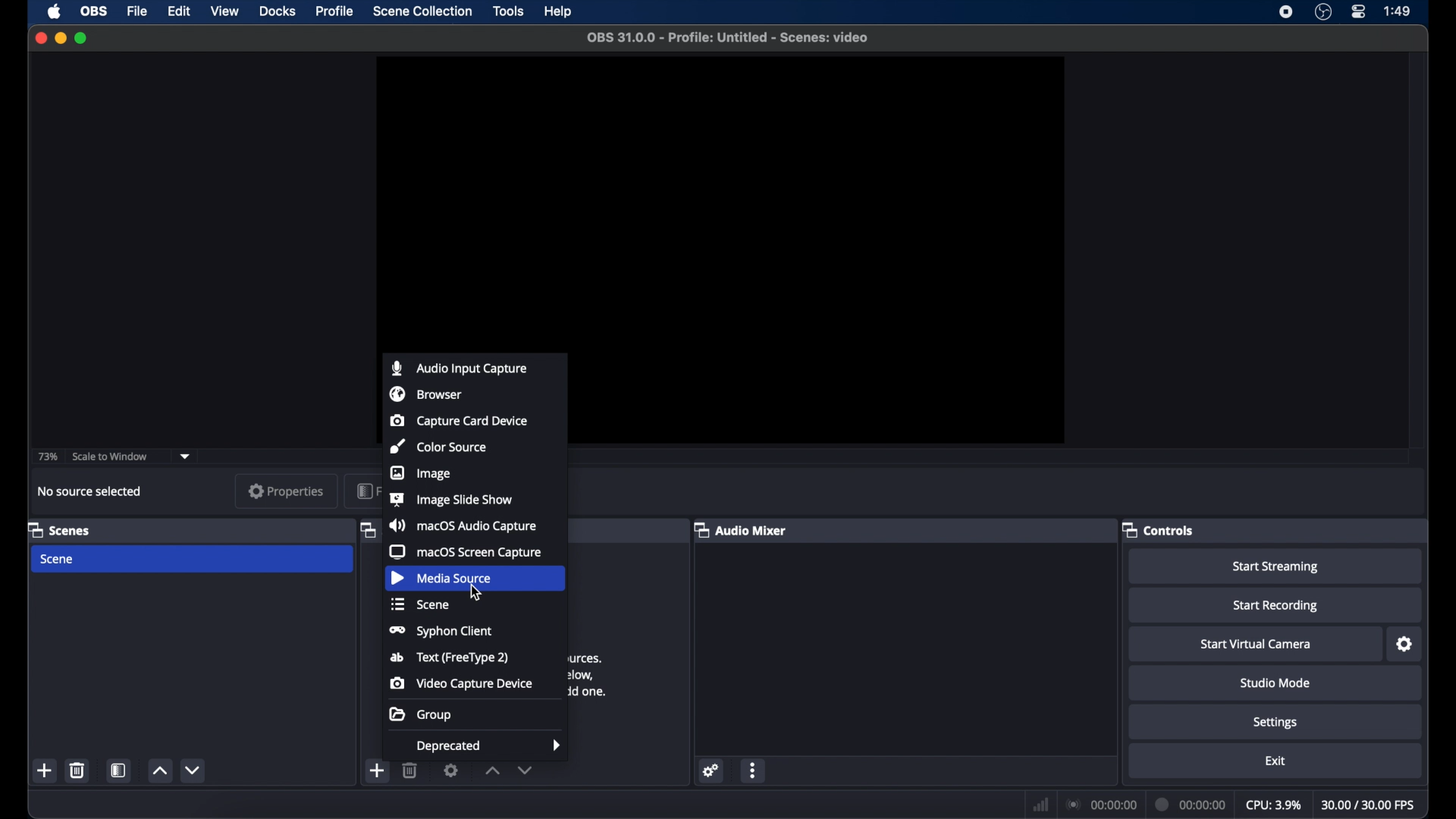 The width and height of the screenshot is (1456, 819). Describe the element at coordinates (463, 682) in the screenshot. I see `video capture device` at that location.